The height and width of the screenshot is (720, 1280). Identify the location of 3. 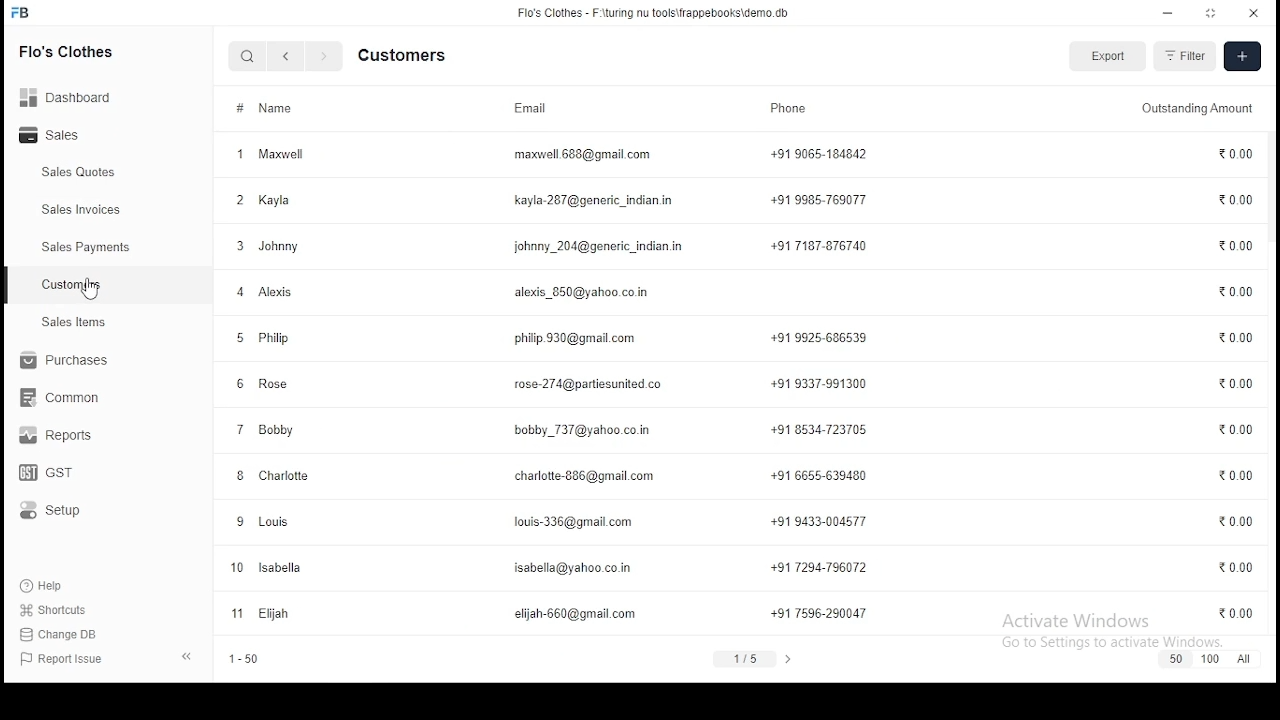
(240, 246).